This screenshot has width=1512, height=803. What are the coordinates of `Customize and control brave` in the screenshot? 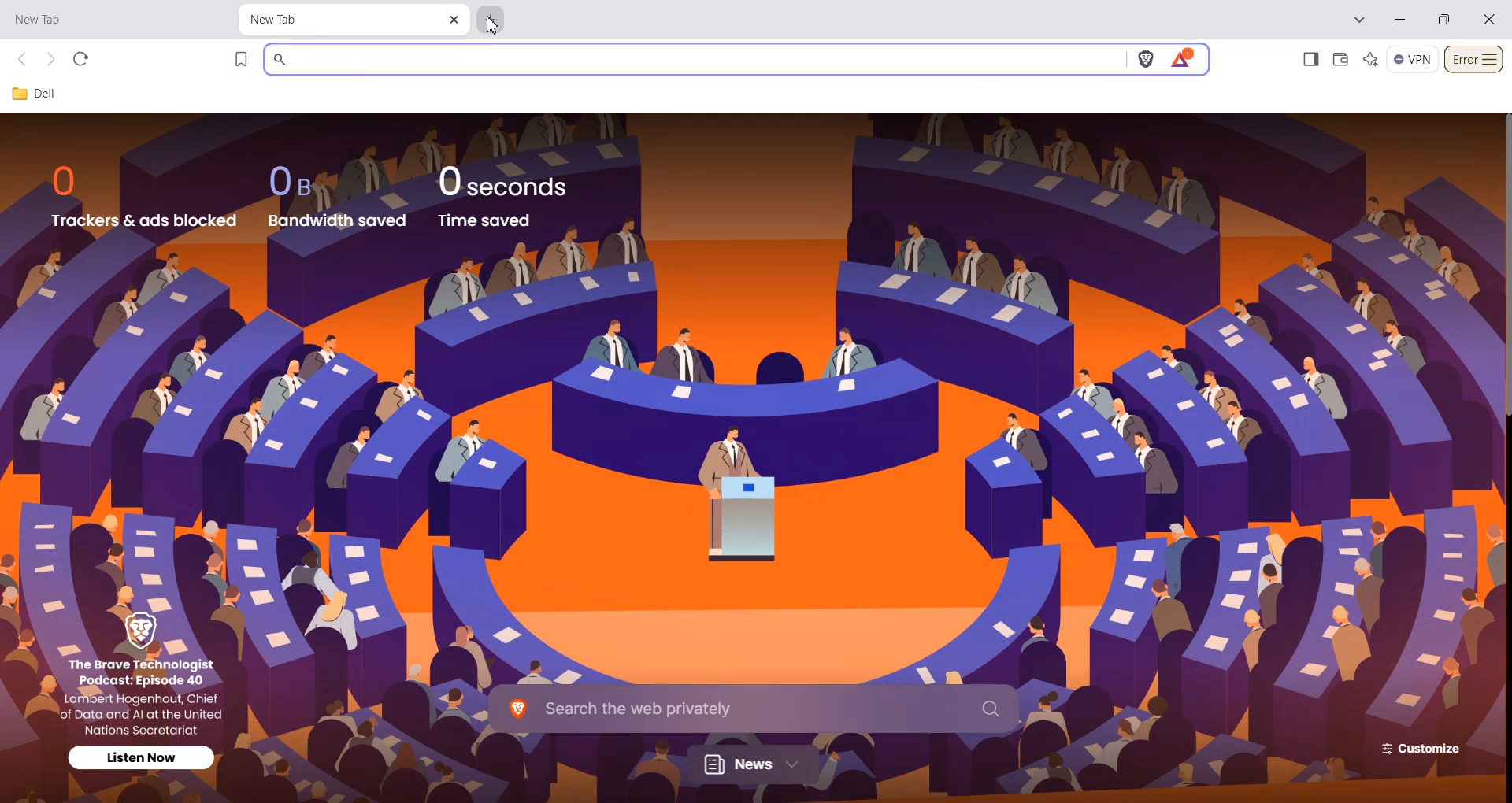 It's located at (1474, 60).